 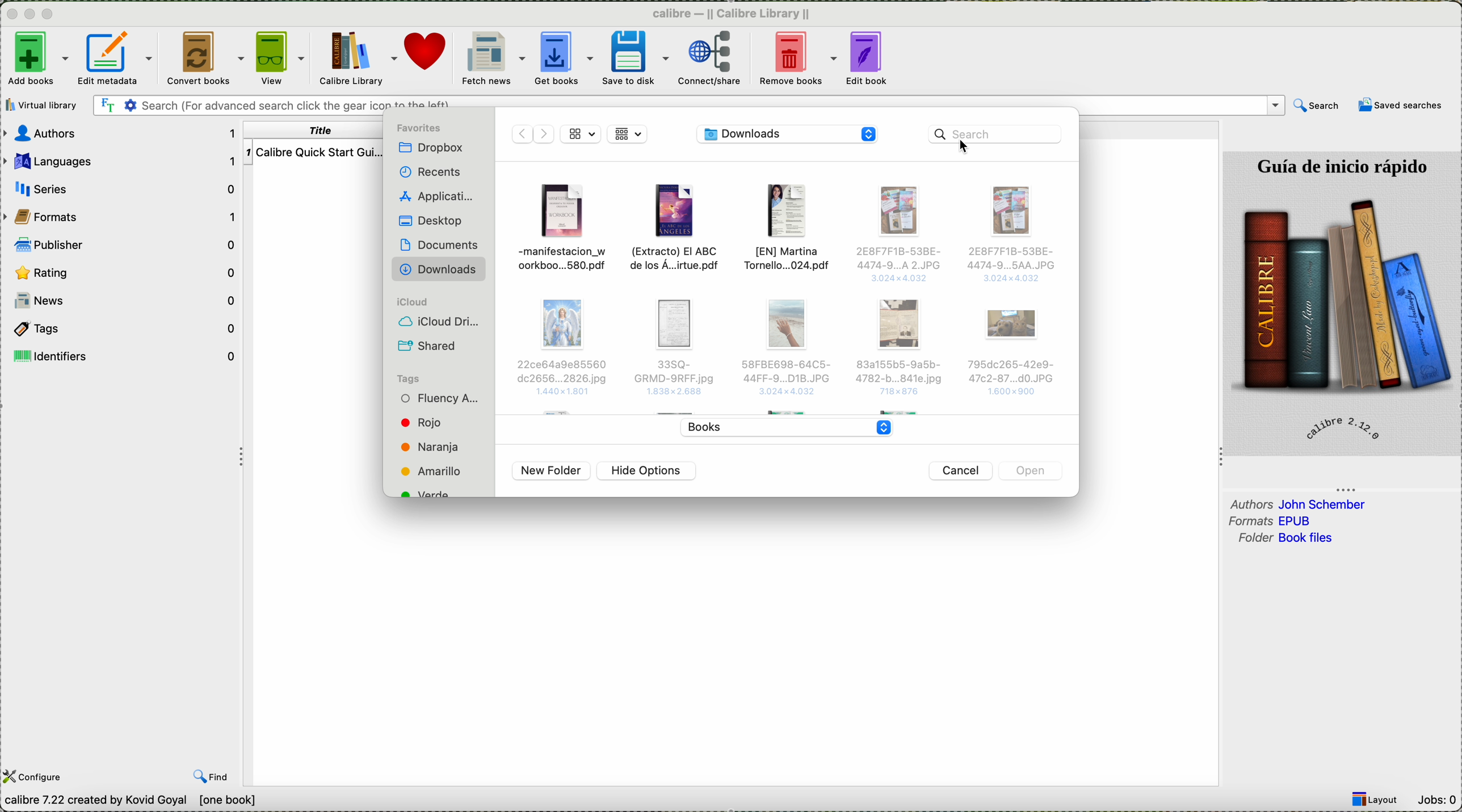 I want to click on recents, so click(x=427, y=173).